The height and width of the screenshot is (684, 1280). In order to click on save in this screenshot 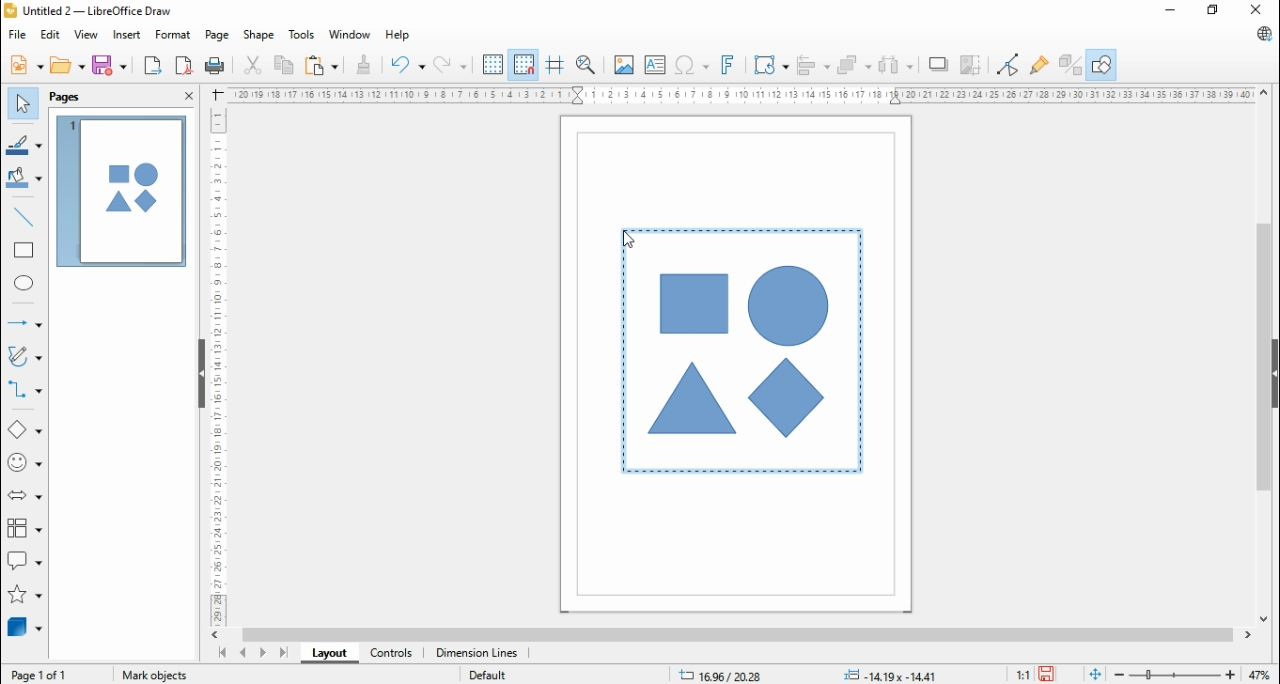, I will do `click(110, 65)`.